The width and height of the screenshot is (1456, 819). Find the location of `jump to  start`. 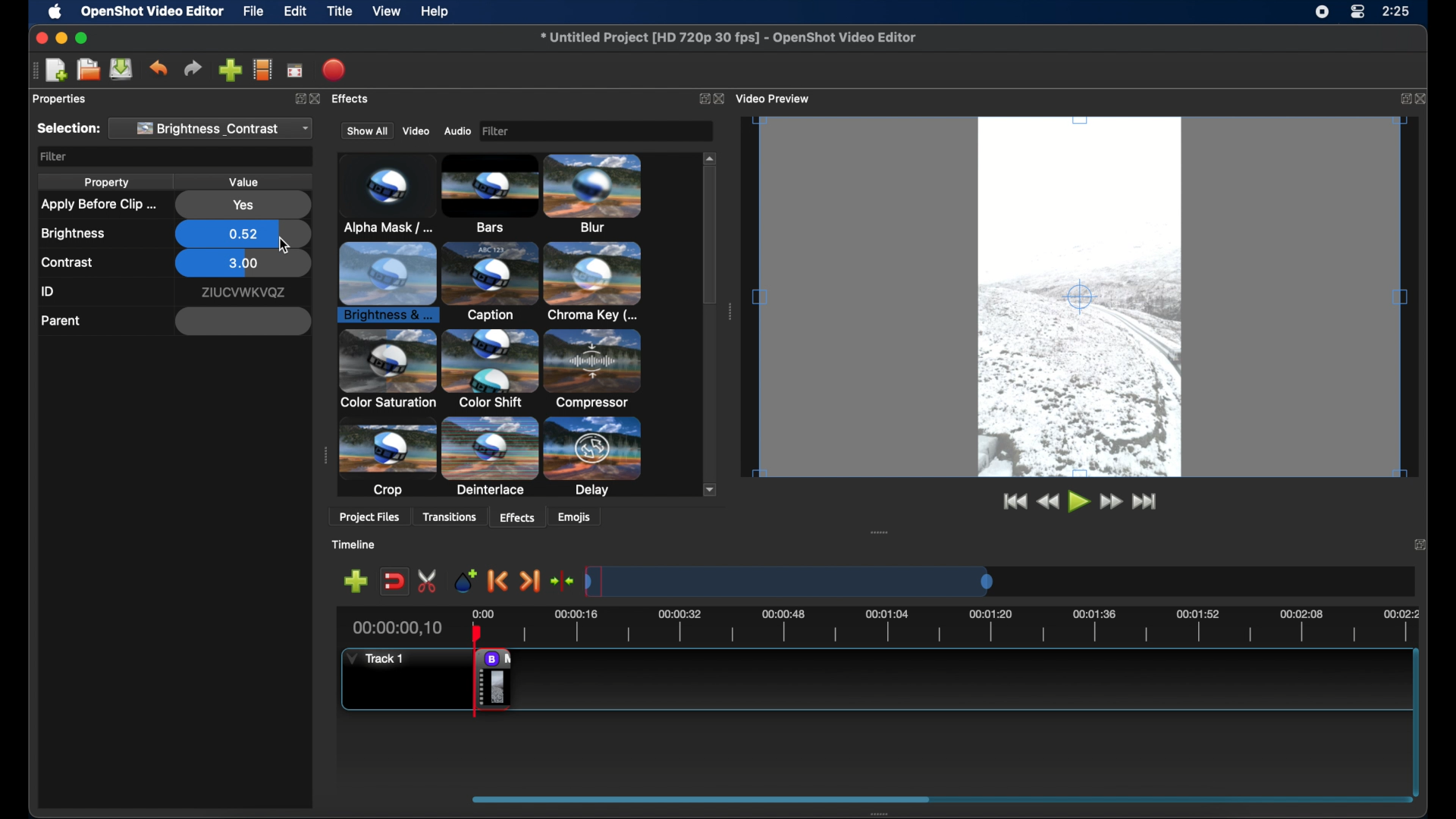

jump to  start is located at coordinates (1015, 503).